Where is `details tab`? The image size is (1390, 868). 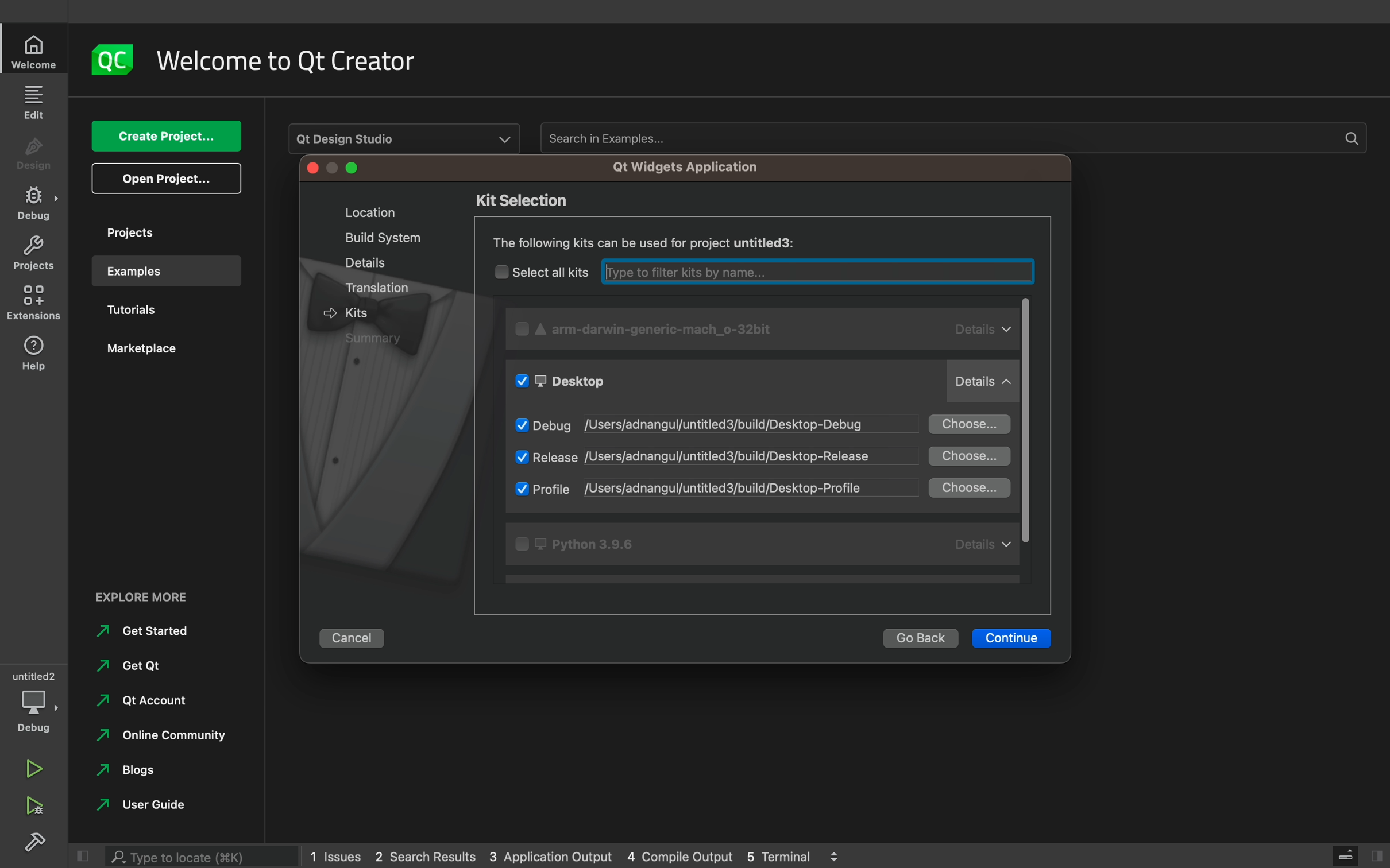 details tab is located at coordinates (361, 261).